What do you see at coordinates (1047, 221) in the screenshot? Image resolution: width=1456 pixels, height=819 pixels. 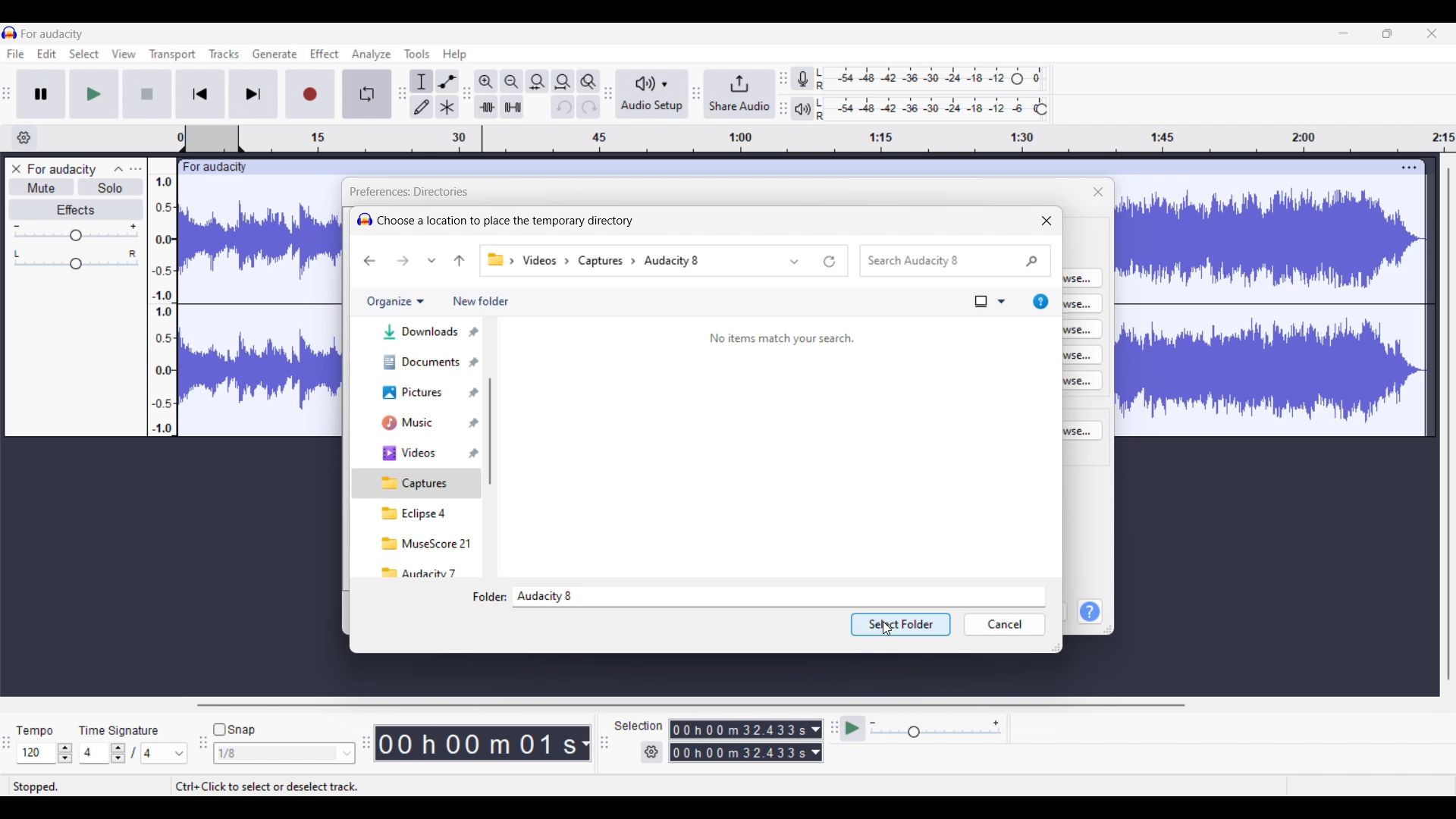 I see `Close` at bounding box center [1047, 221].